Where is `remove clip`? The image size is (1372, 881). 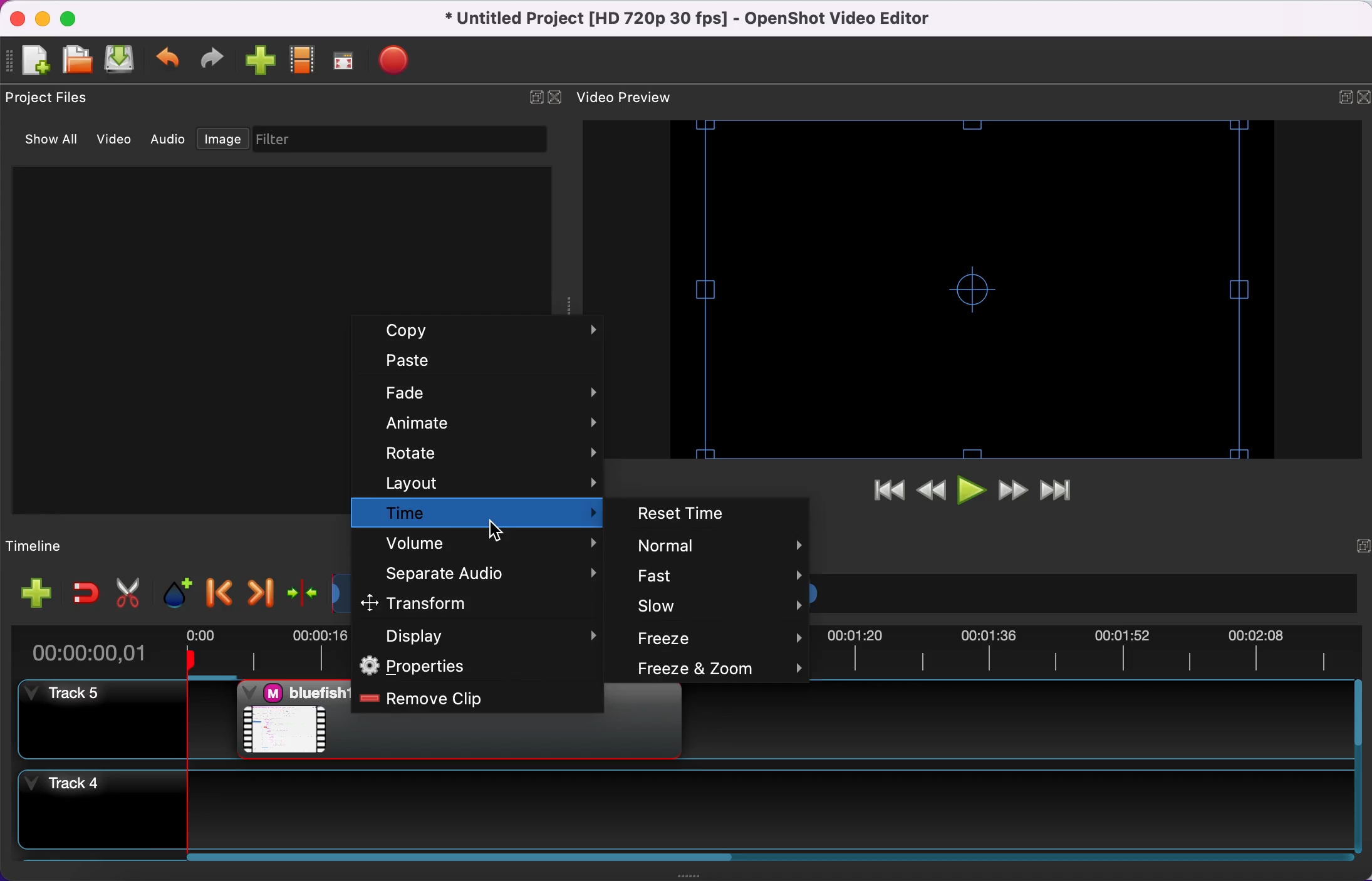 remove clip is located at coordinates (470, 699).